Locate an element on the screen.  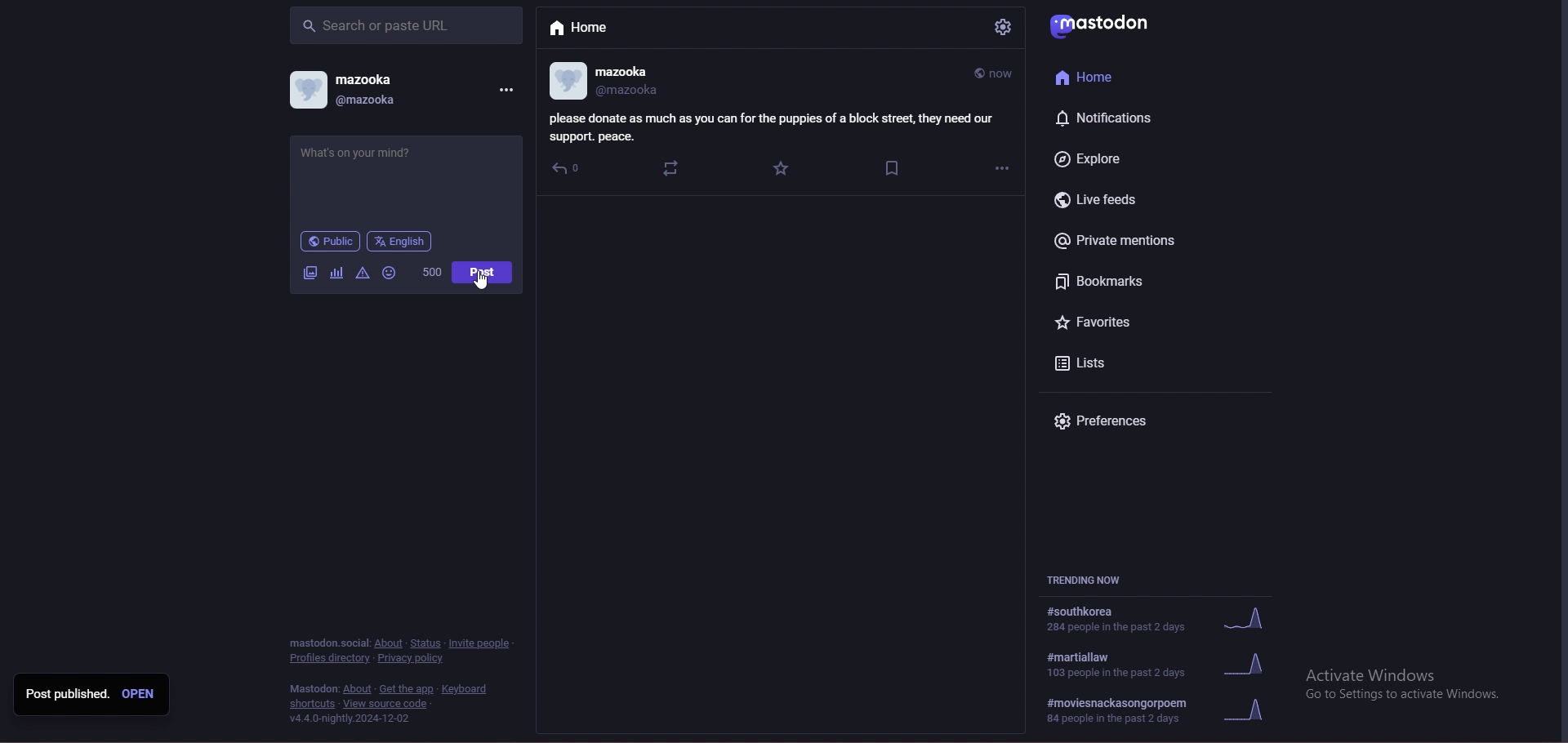
home is located at coordinates (595, 29).